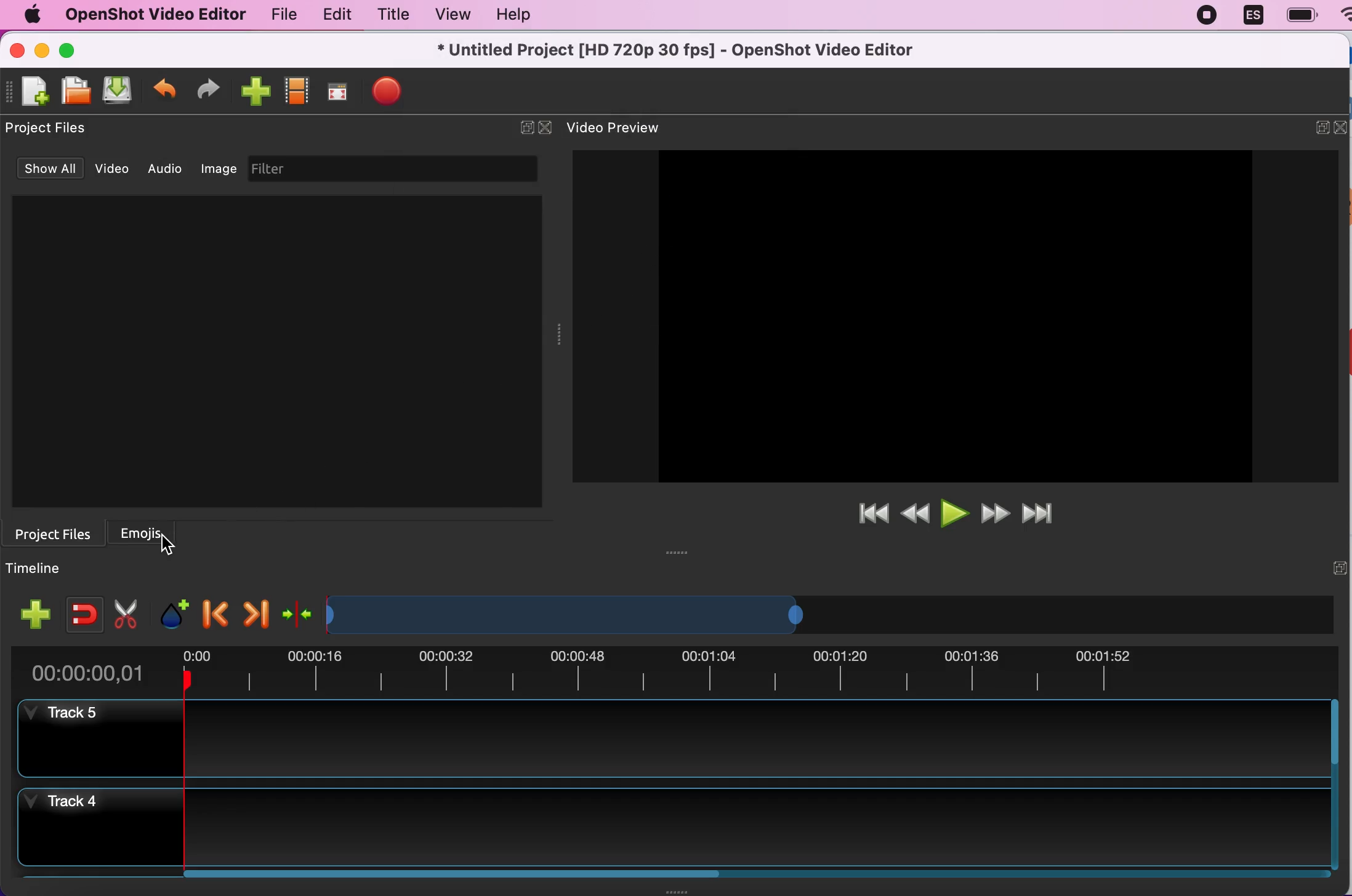  What do you see at coordinates (332, 14) in the screenshot?
I see `edit` at bounding box center [332, 14].